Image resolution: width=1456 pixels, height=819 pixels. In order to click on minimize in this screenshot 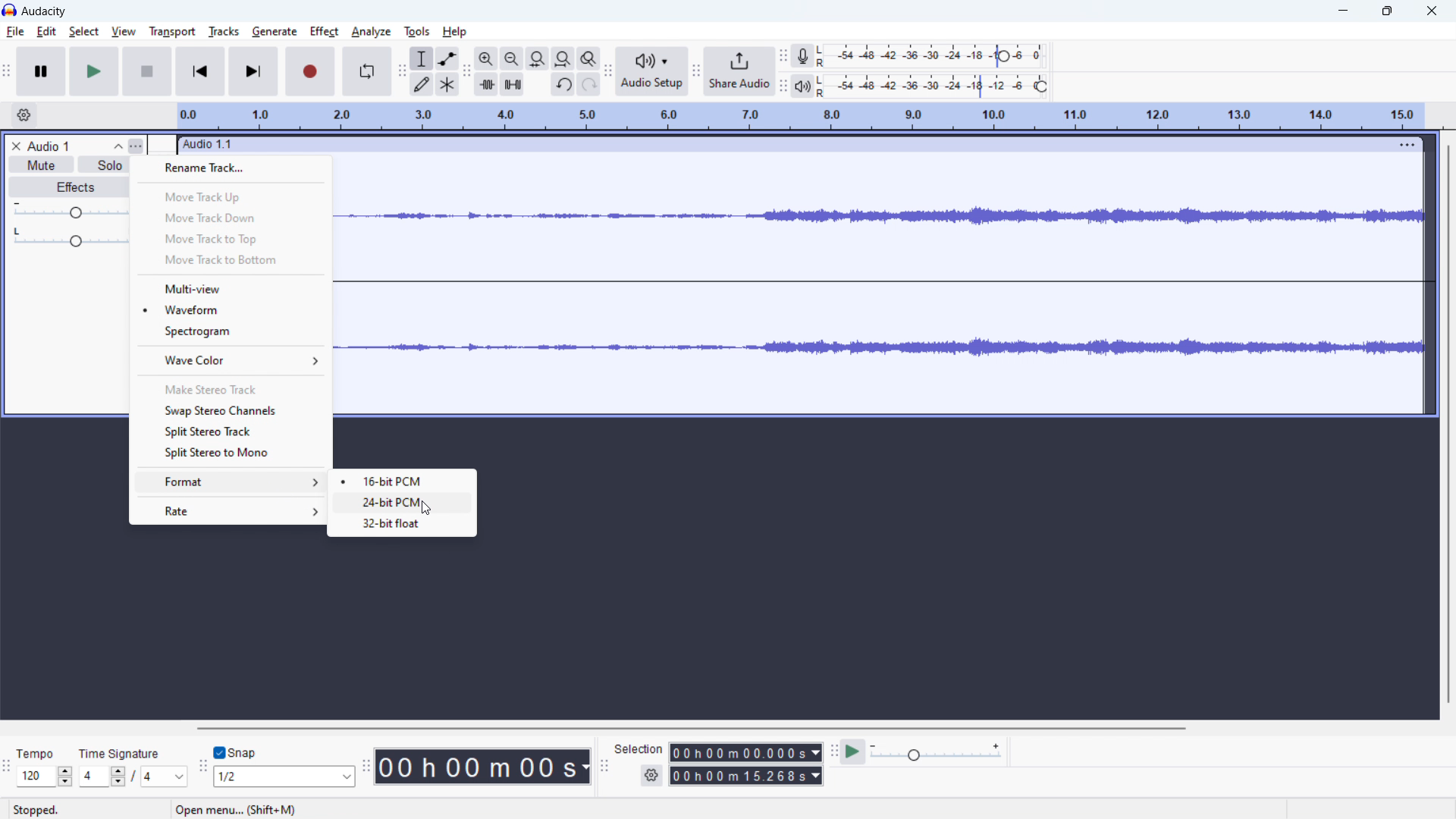, I will do `click(1342, 11)`.